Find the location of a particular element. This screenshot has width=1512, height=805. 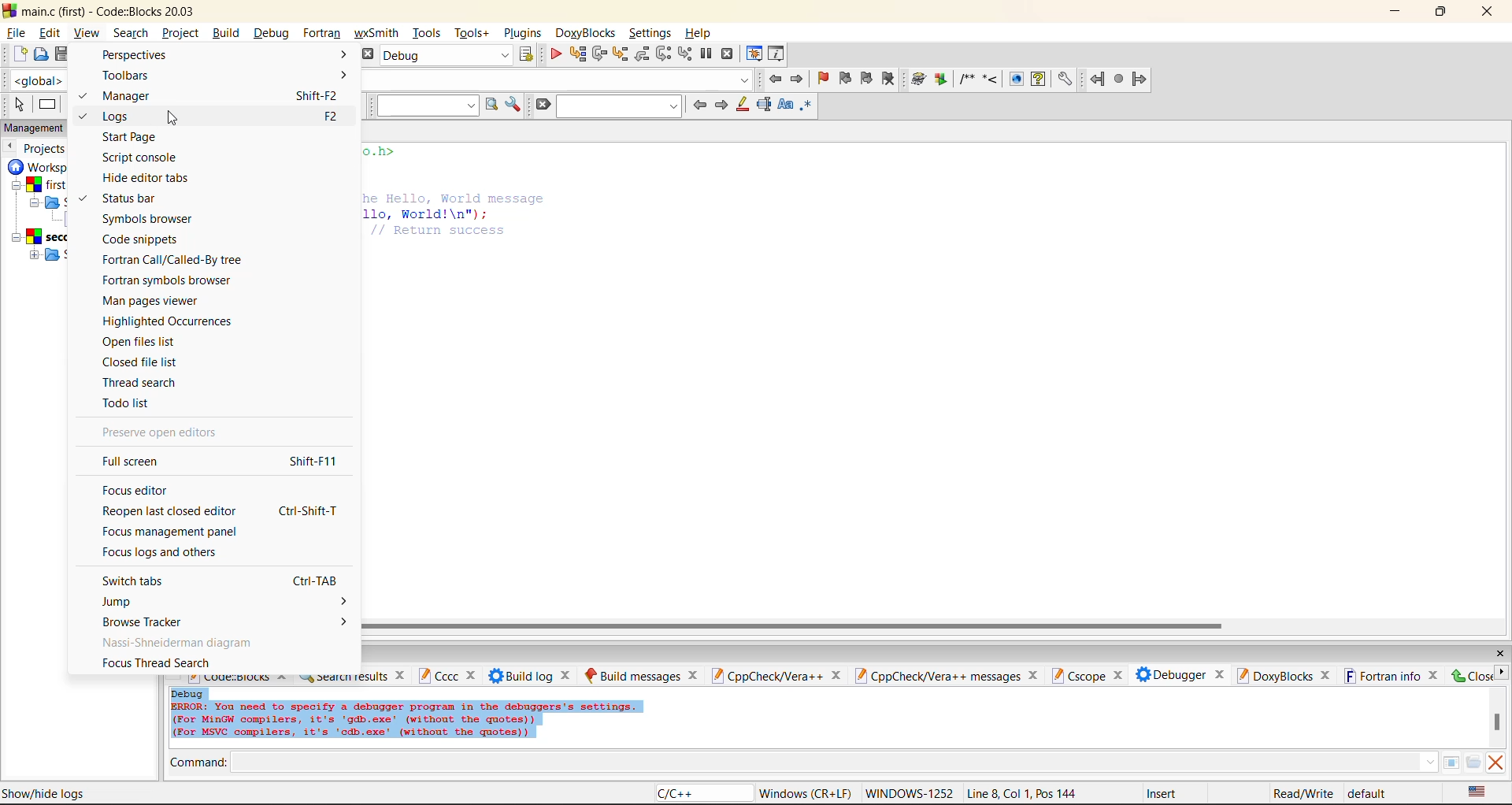

debug/continue is located at coordinates (554, 56).